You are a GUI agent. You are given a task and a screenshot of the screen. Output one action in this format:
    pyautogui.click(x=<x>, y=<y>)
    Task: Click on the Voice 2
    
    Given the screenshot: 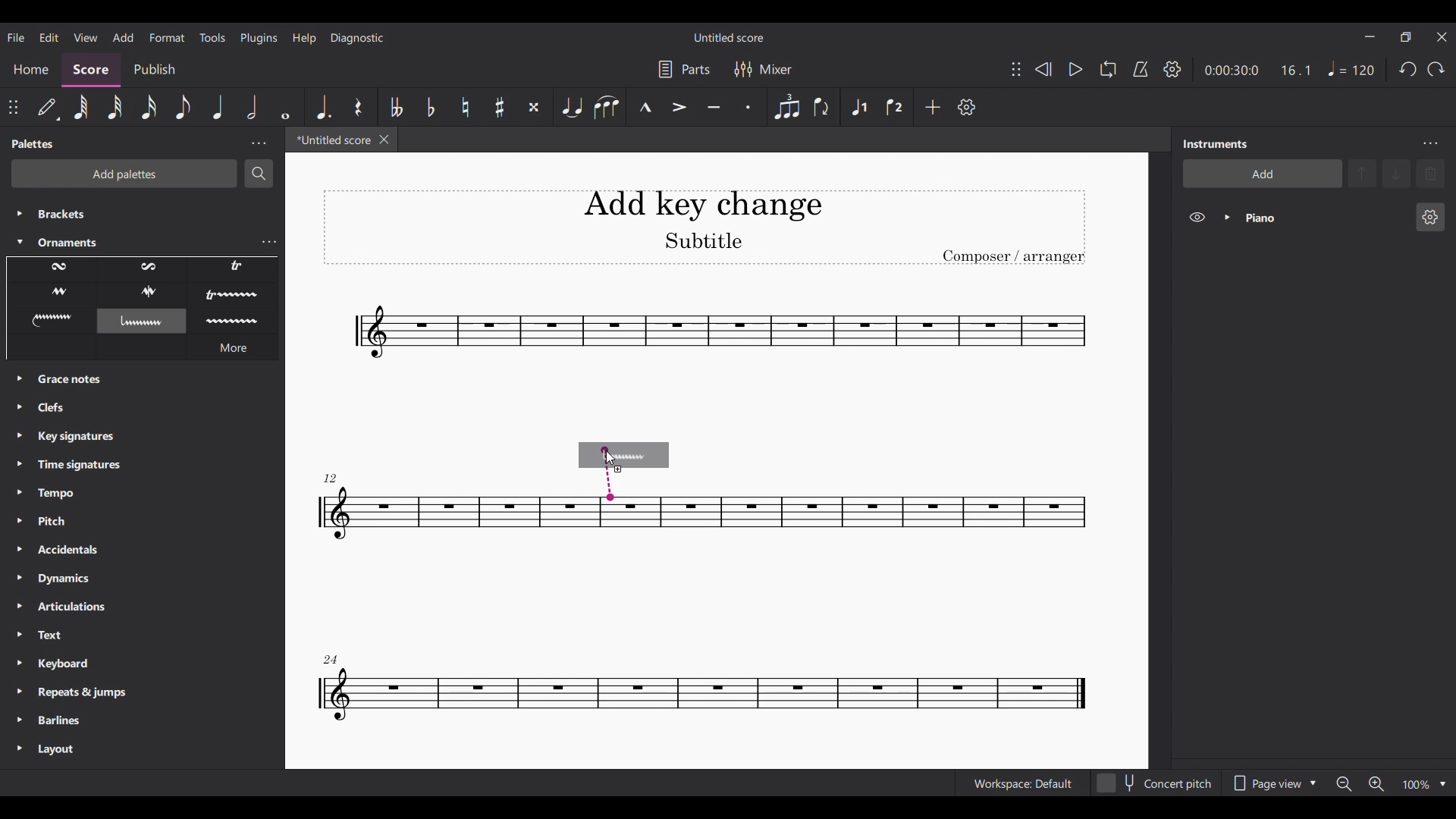 What is the action you would take?
    pyautogui.click(x=895, y=105)
    